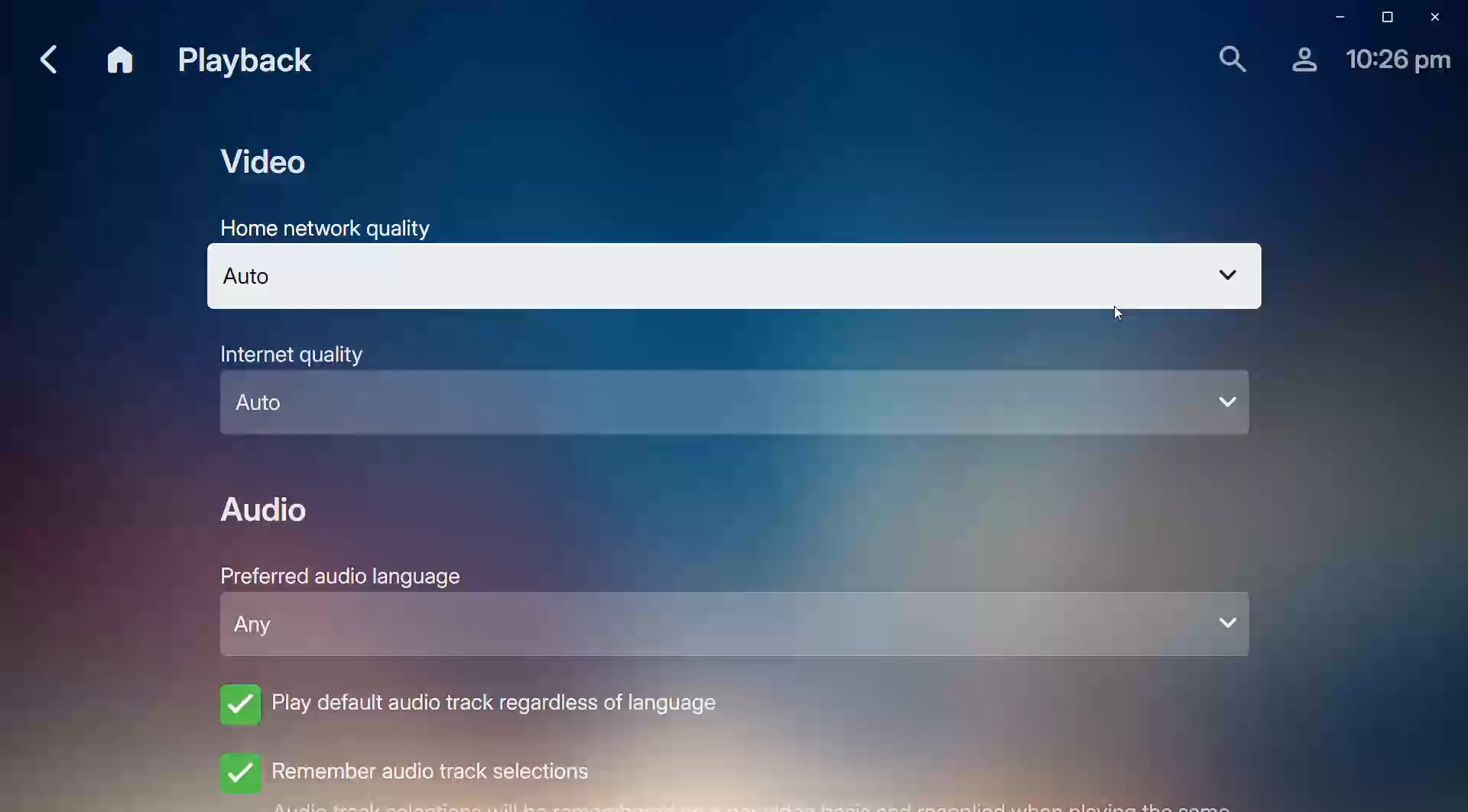 The height and width of the screenshot is (812, 1468). Describe the element at coordinates (1301, 59) in the screenshot. I see `Account` at that location.